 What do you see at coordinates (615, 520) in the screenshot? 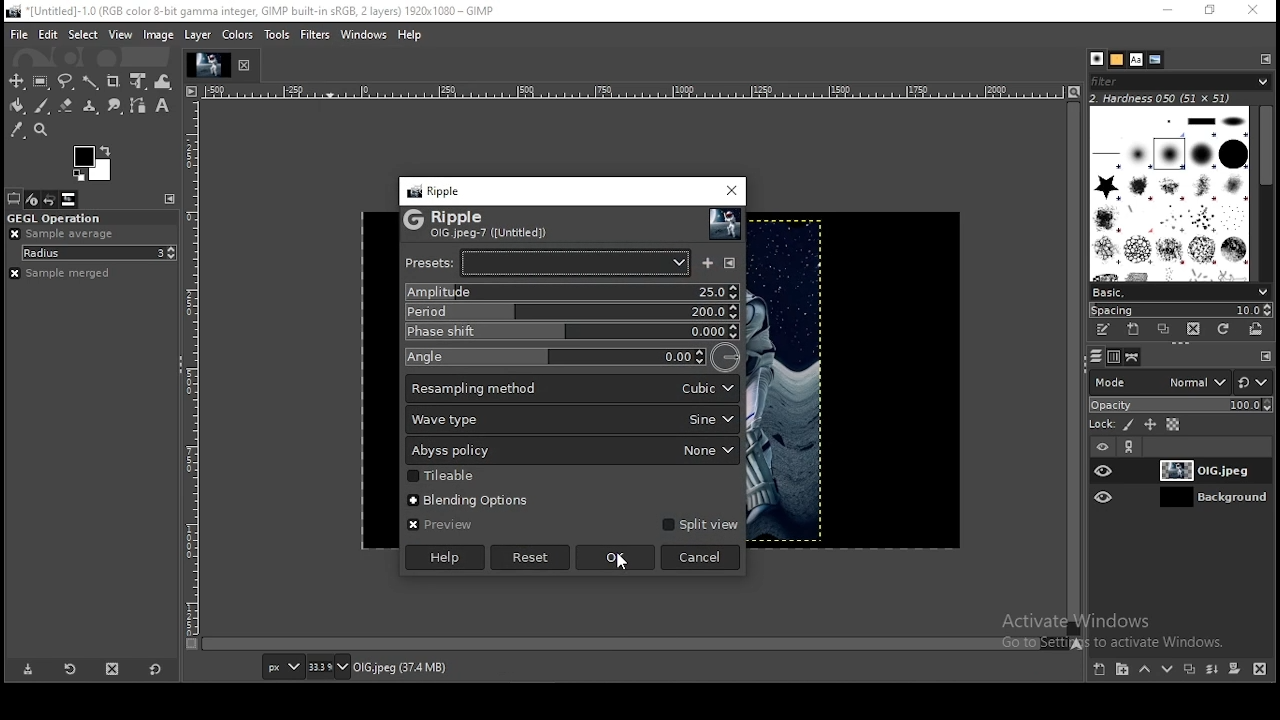
I see `waves` at bounding box center [615, 520].